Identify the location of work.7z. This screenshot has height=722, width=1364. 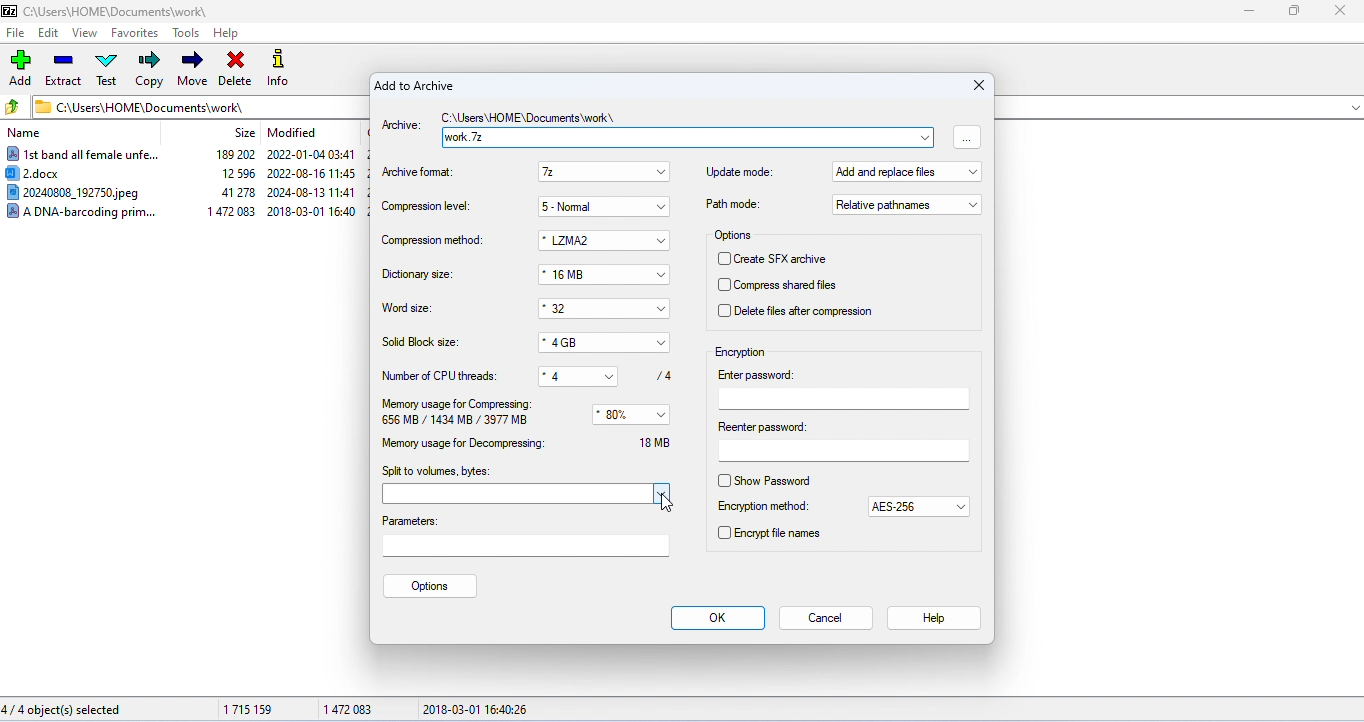
(673, 138).